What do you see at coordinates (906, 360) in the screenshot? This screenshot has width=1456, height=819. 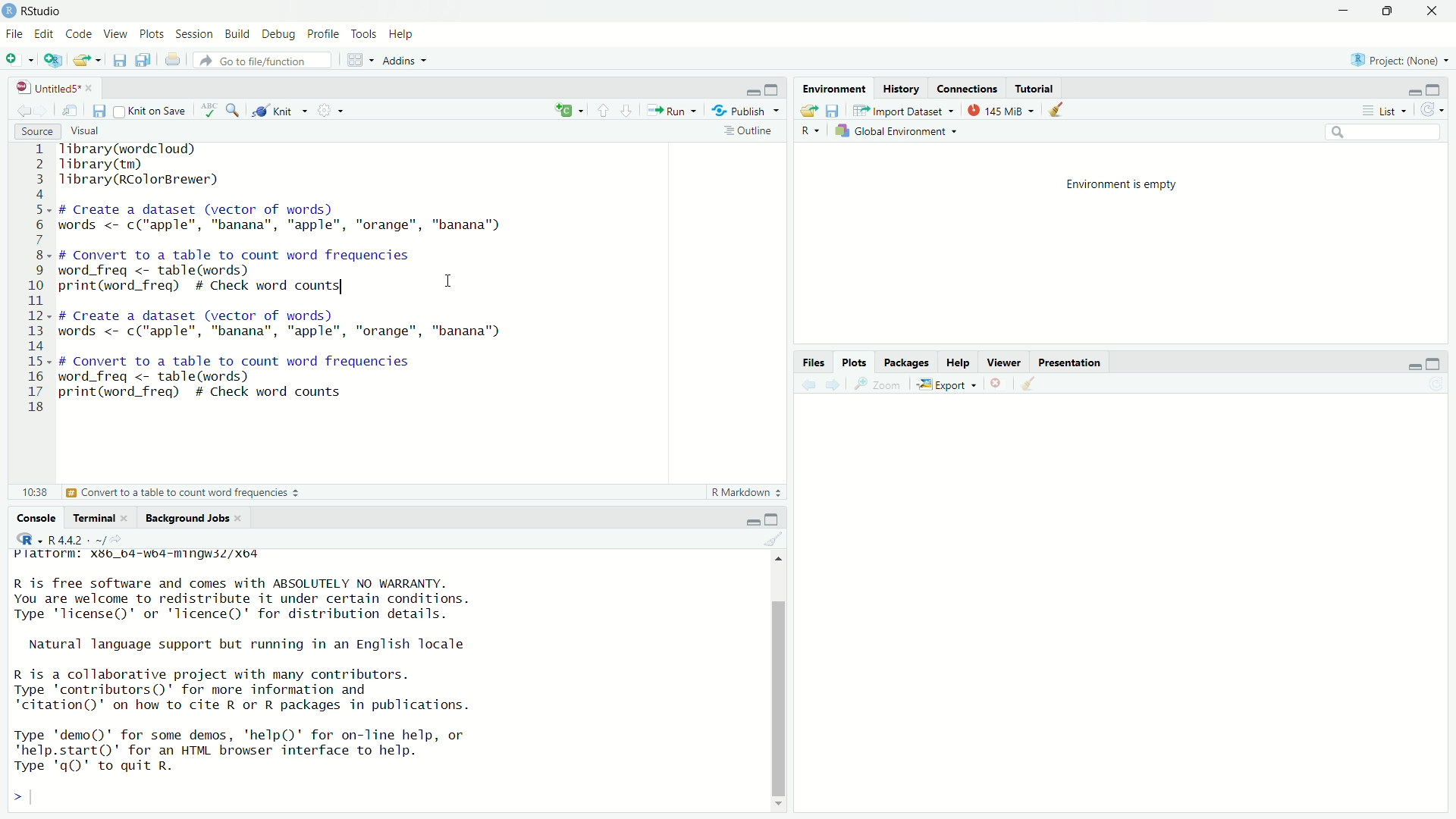 I see `Packages` at bounding box center [906, 360].